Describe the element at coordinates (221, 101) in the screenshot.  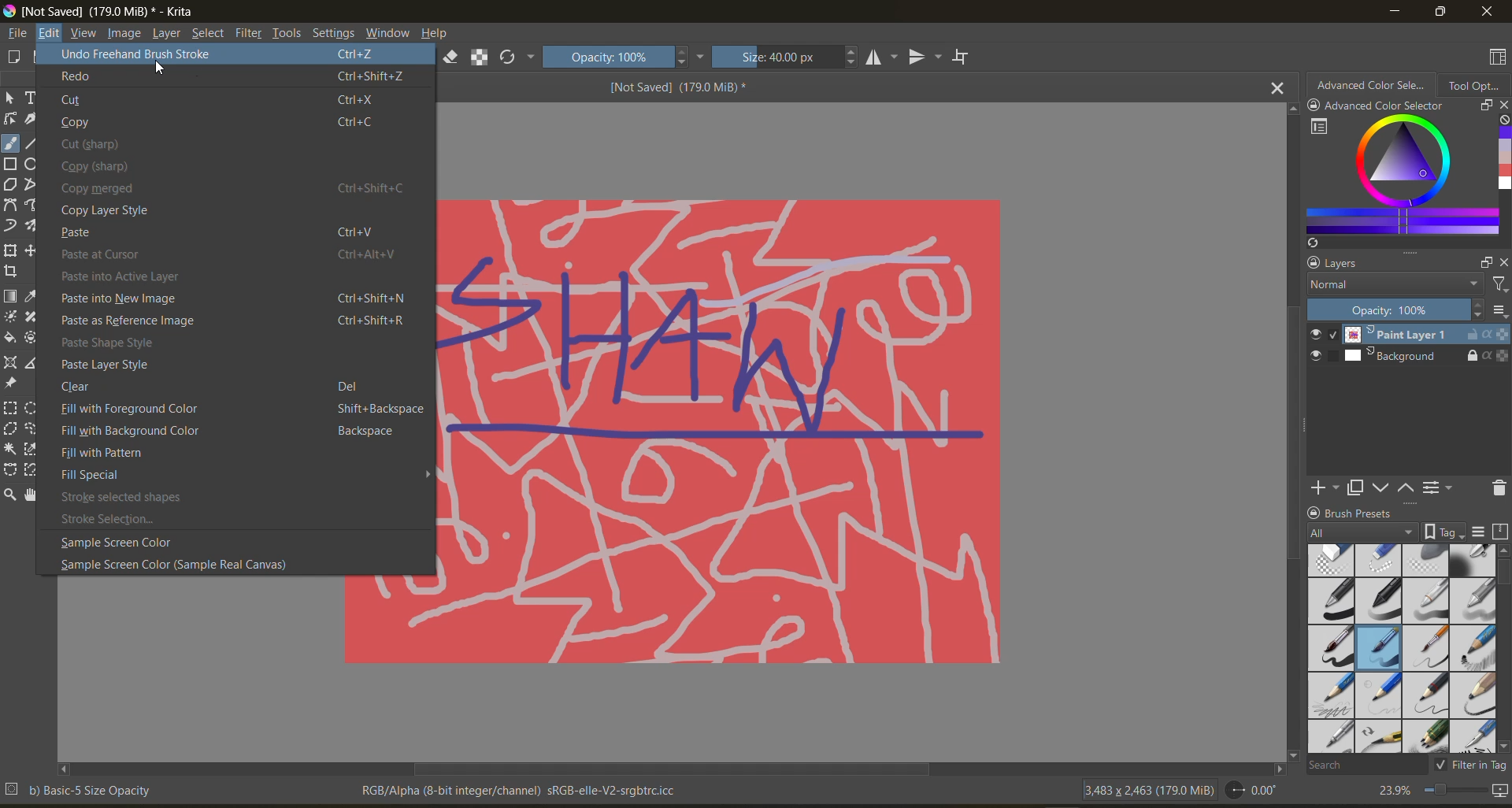
I see `cut   Ctrl+X` at that location.